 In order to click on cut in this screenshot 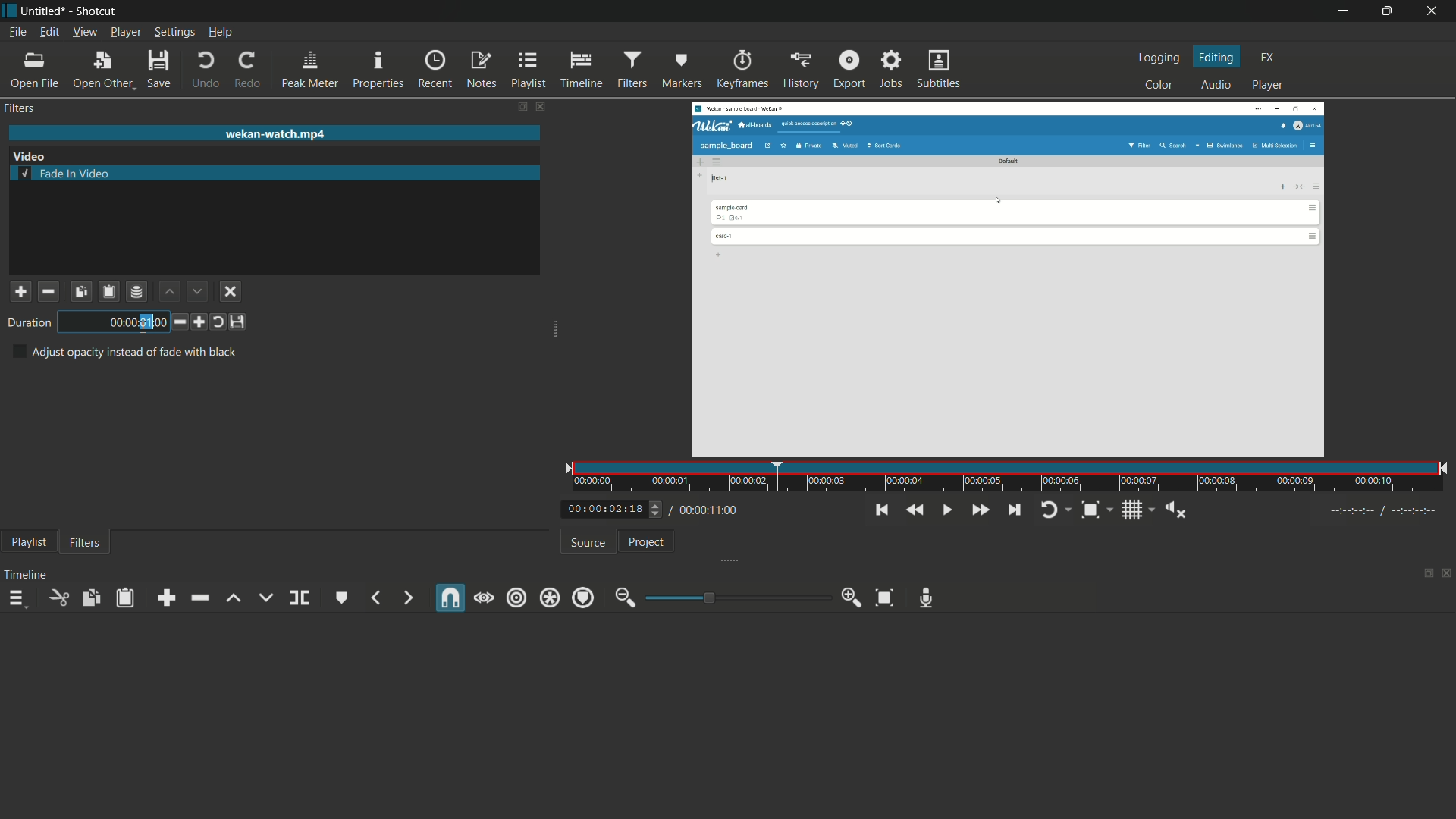, I will do `click(60, 598)`.